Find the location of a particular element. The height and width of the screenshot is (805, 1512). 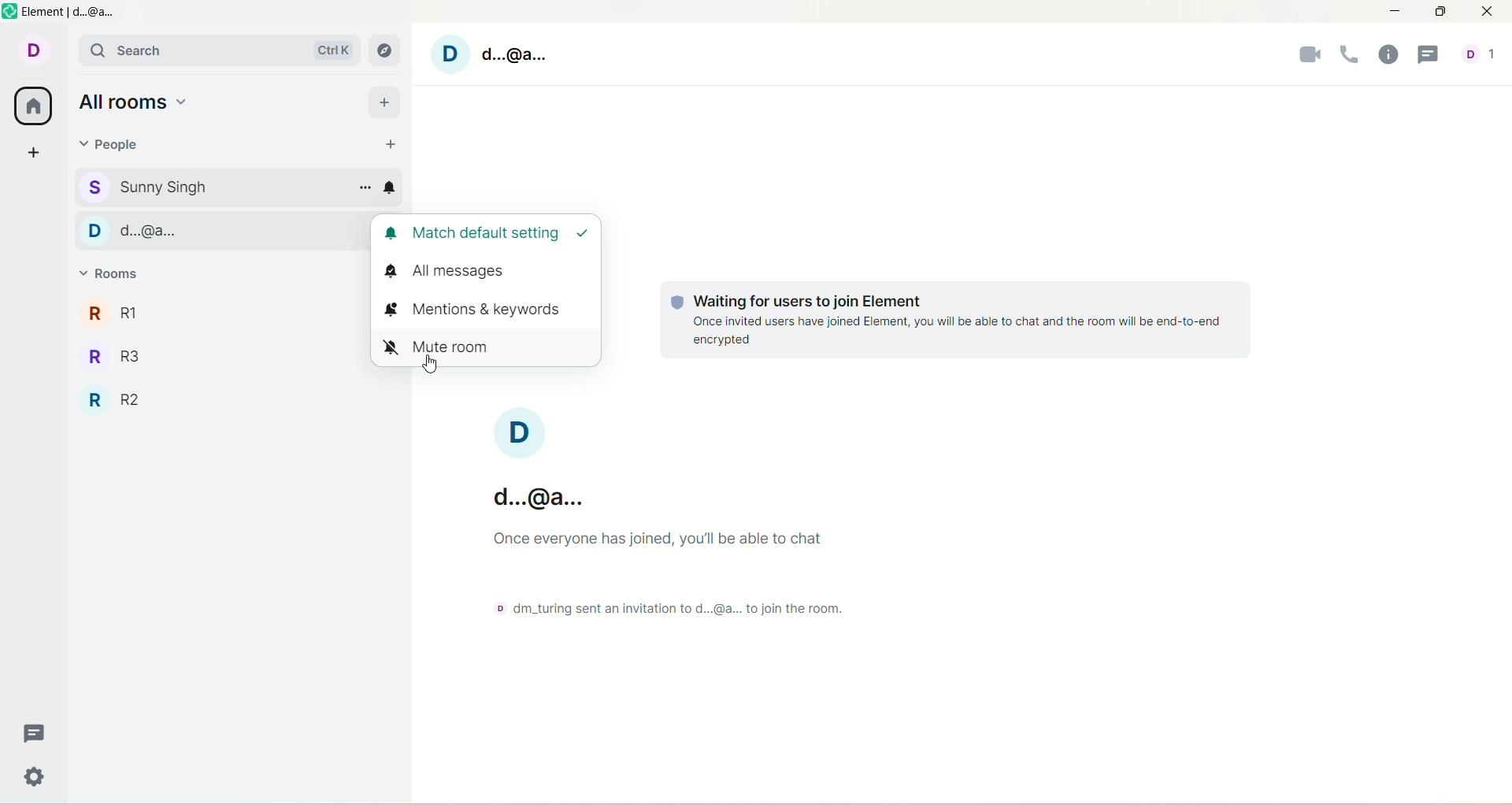

account is located at coordinates (526, 460).